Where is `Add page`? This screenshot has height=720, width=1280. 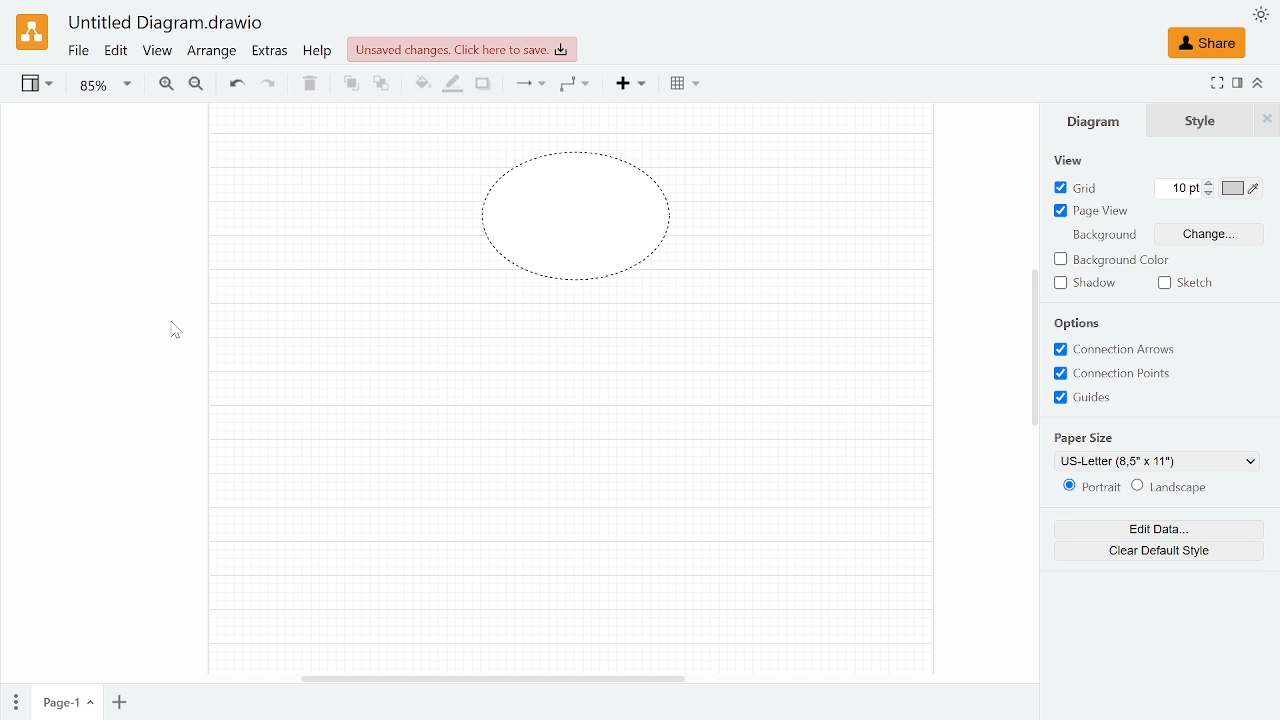 Add page is located at coordinates (122, 703).